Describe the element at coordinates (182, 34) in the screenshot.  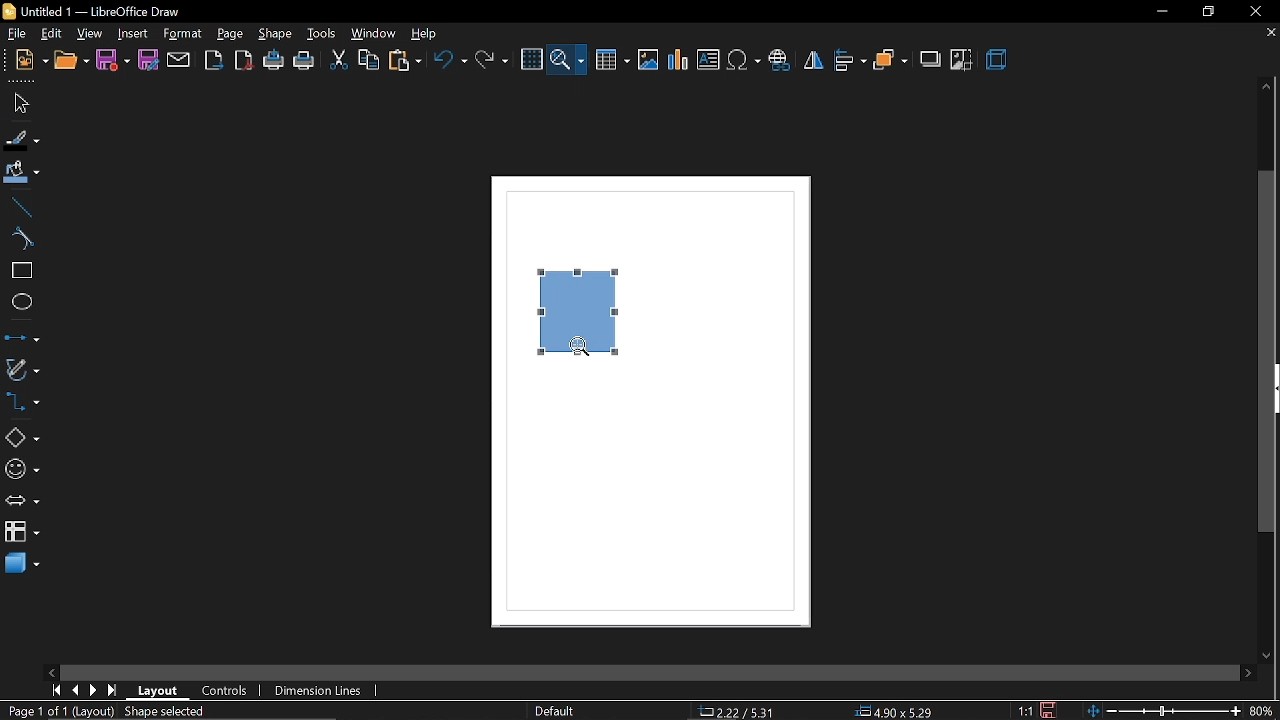
I see `format` at that location.